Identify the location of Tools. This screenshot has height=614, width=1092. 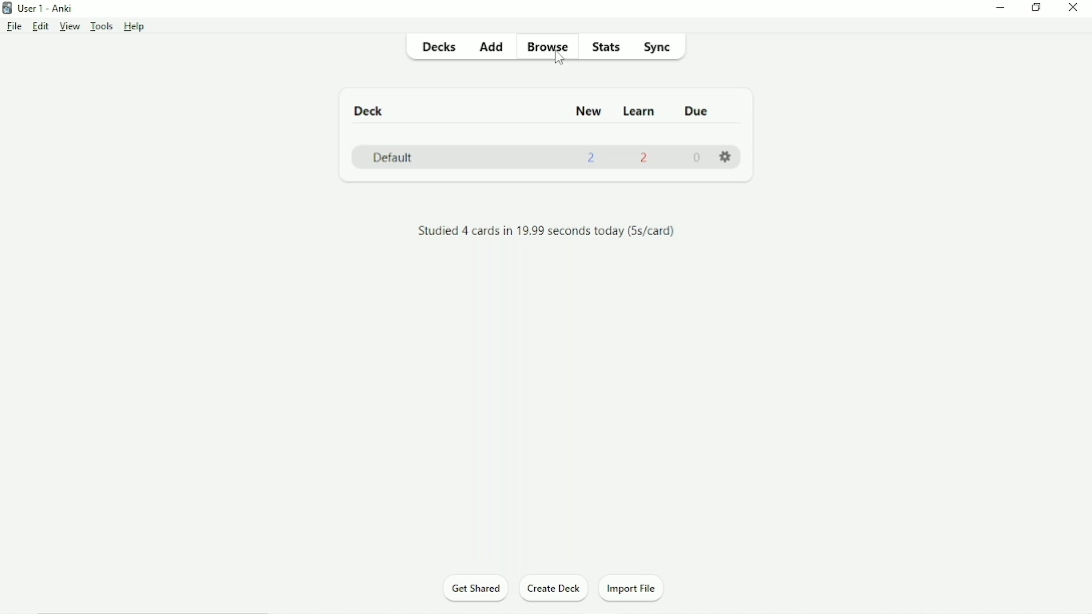
(103, 27).